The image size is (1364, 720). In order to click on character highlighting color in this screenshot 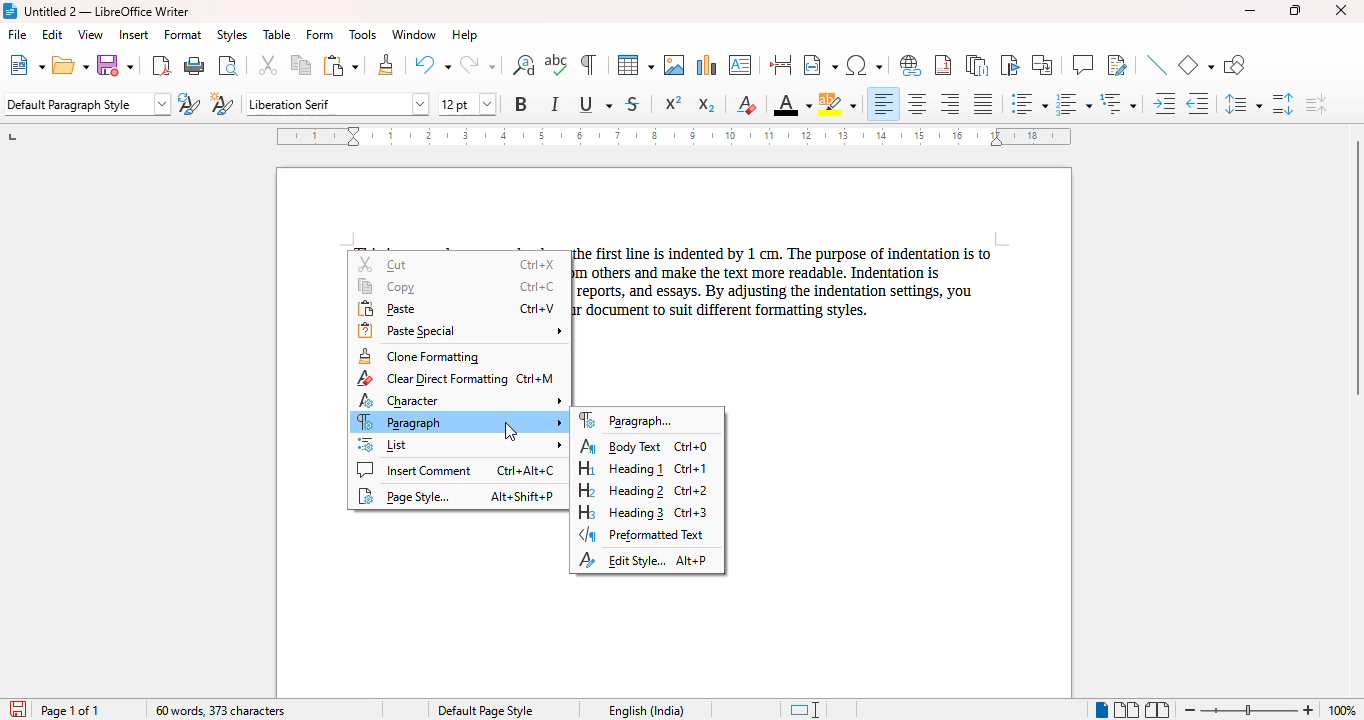, I will do `click(836, 104)`.